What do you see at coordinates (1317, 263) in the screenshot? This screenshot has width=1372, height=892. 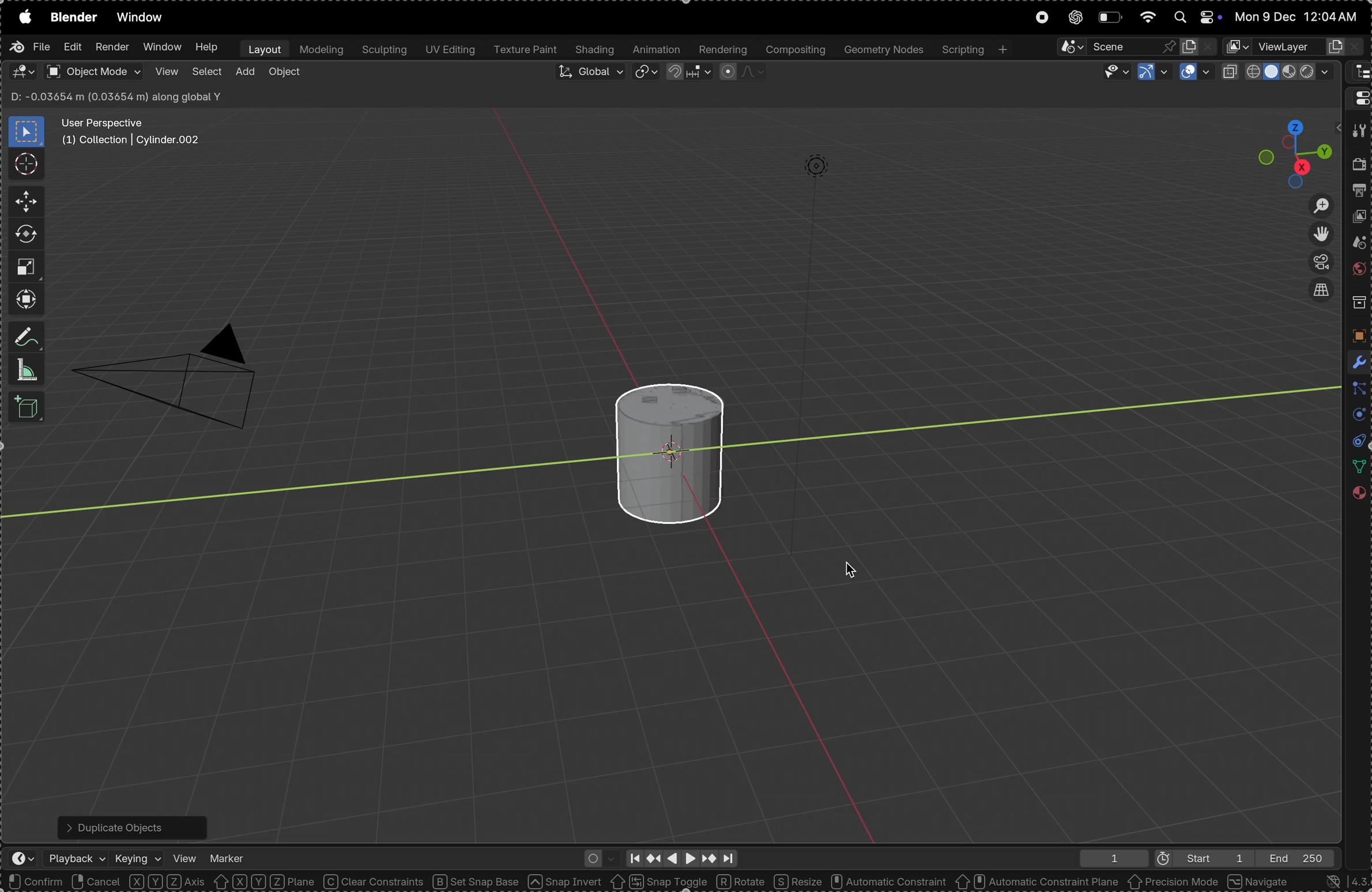 I see `toggle camera view` at bounding box center [1317, 263].